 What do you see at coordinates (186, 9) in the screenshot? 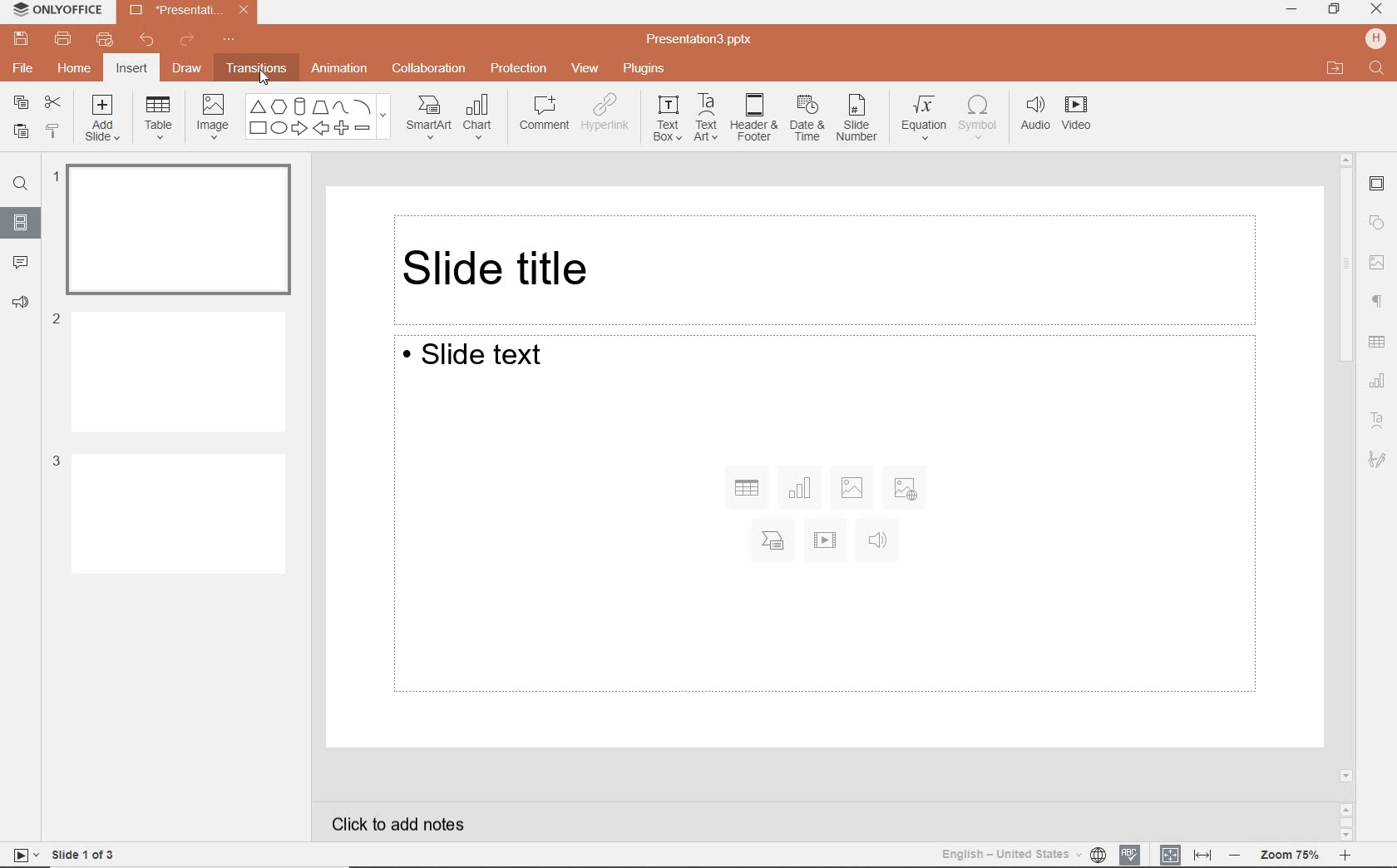
I see `Presentation3.pptx` at bounding box center [186, 9].